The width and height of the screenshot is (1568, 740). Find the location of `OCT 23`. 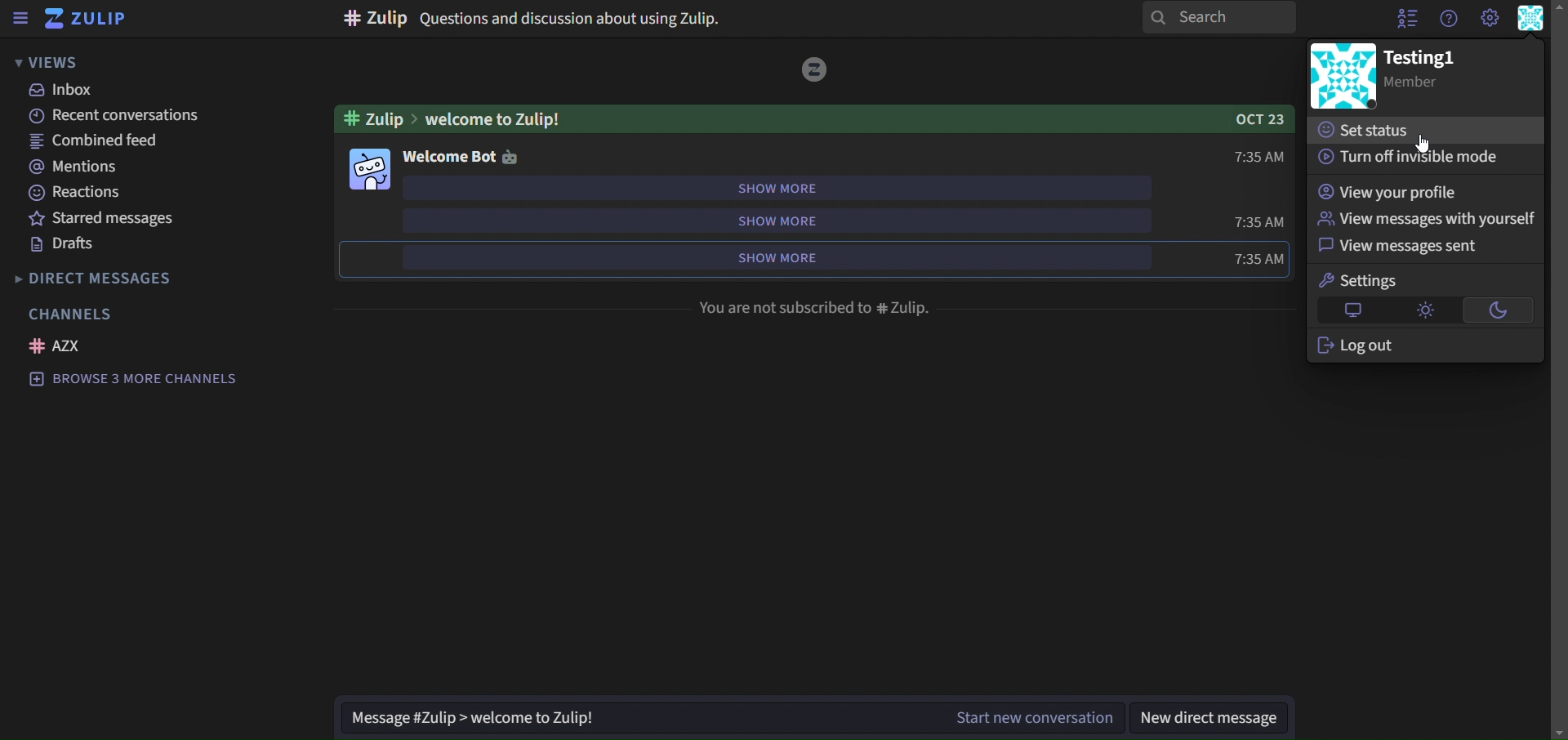

OCT 23 is located at coordinates (1254, 118).